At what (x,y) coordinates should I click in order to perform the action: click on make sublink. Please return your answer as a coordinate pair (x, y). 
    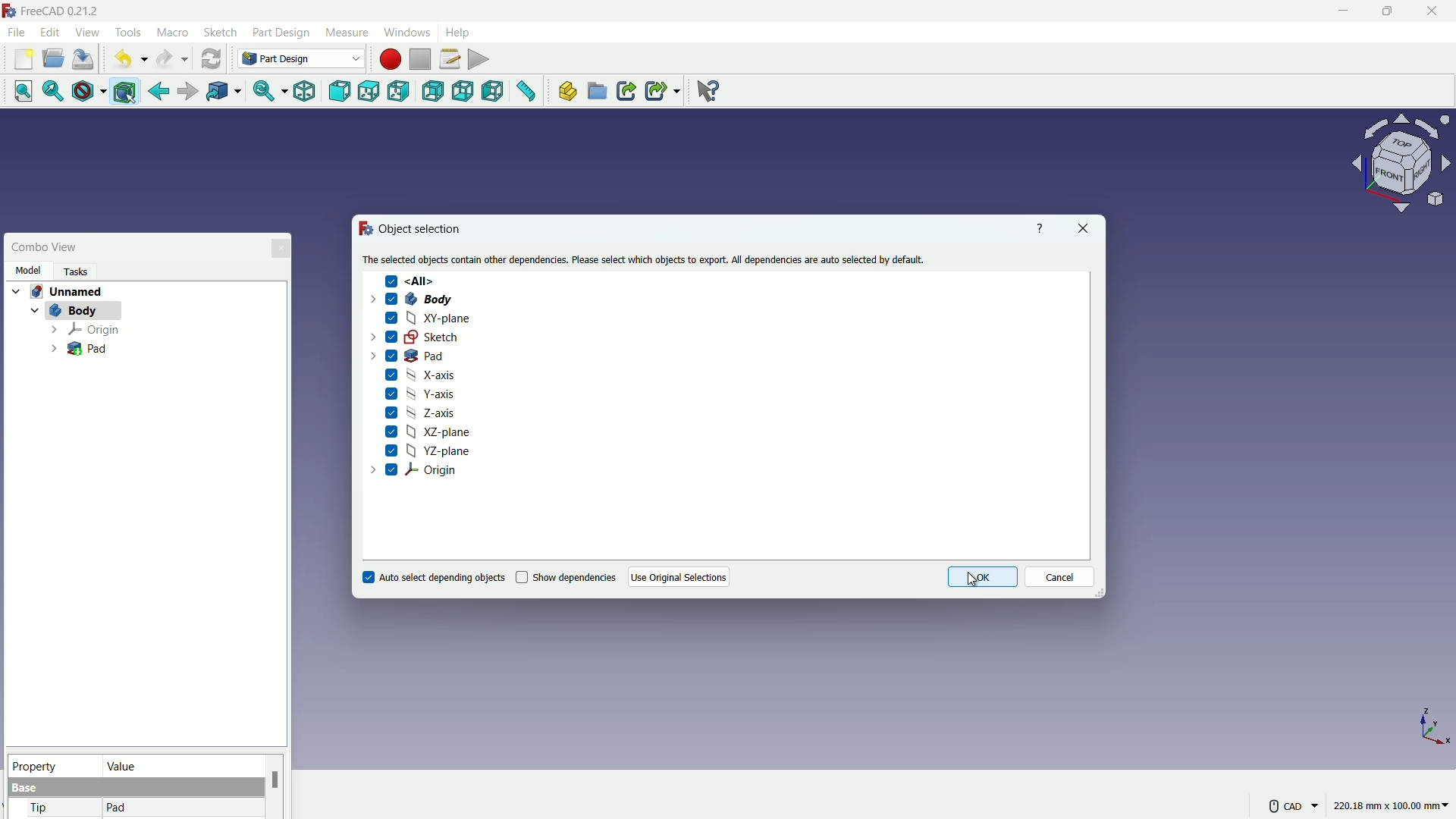
    Looking at the image, I should click on (663, 91).